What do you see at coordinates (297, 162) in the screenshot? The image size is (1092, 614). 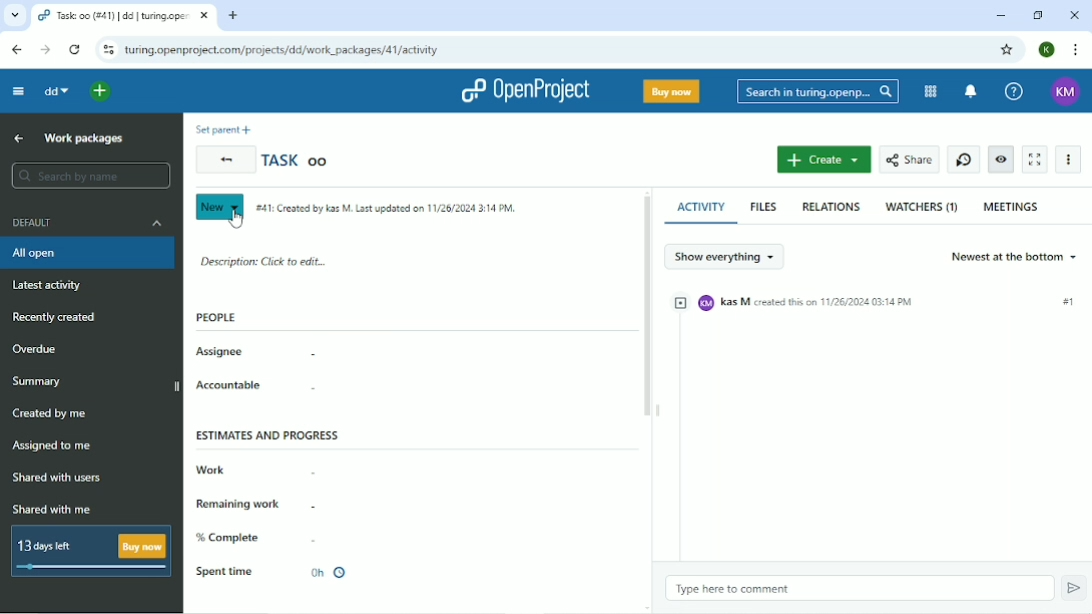 I see `Task oo` at bounding box center [297, 162].